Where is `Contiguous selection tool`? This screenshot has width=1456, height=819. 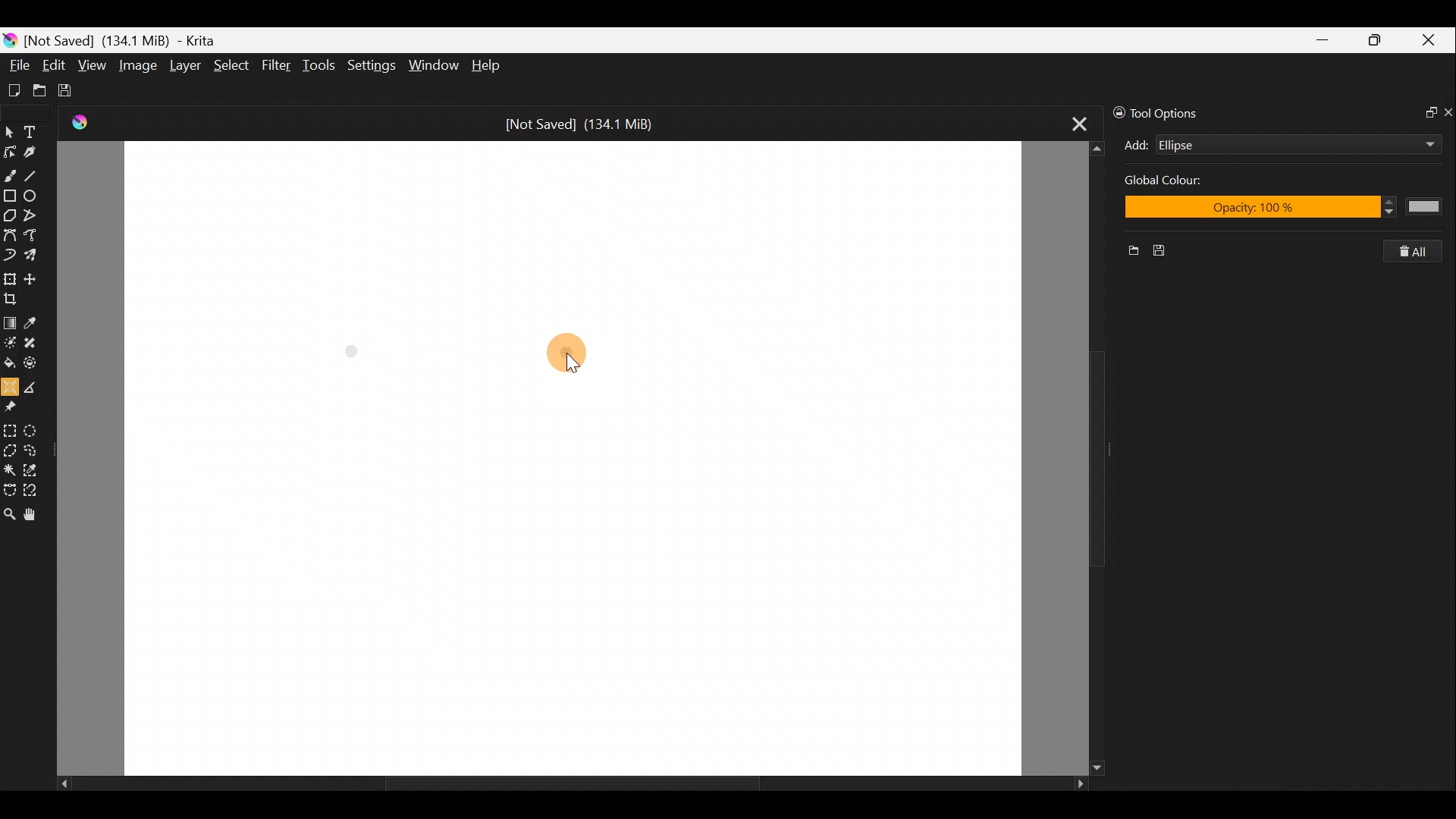
Contiguous selection tool is located at coordinates (10, 468).